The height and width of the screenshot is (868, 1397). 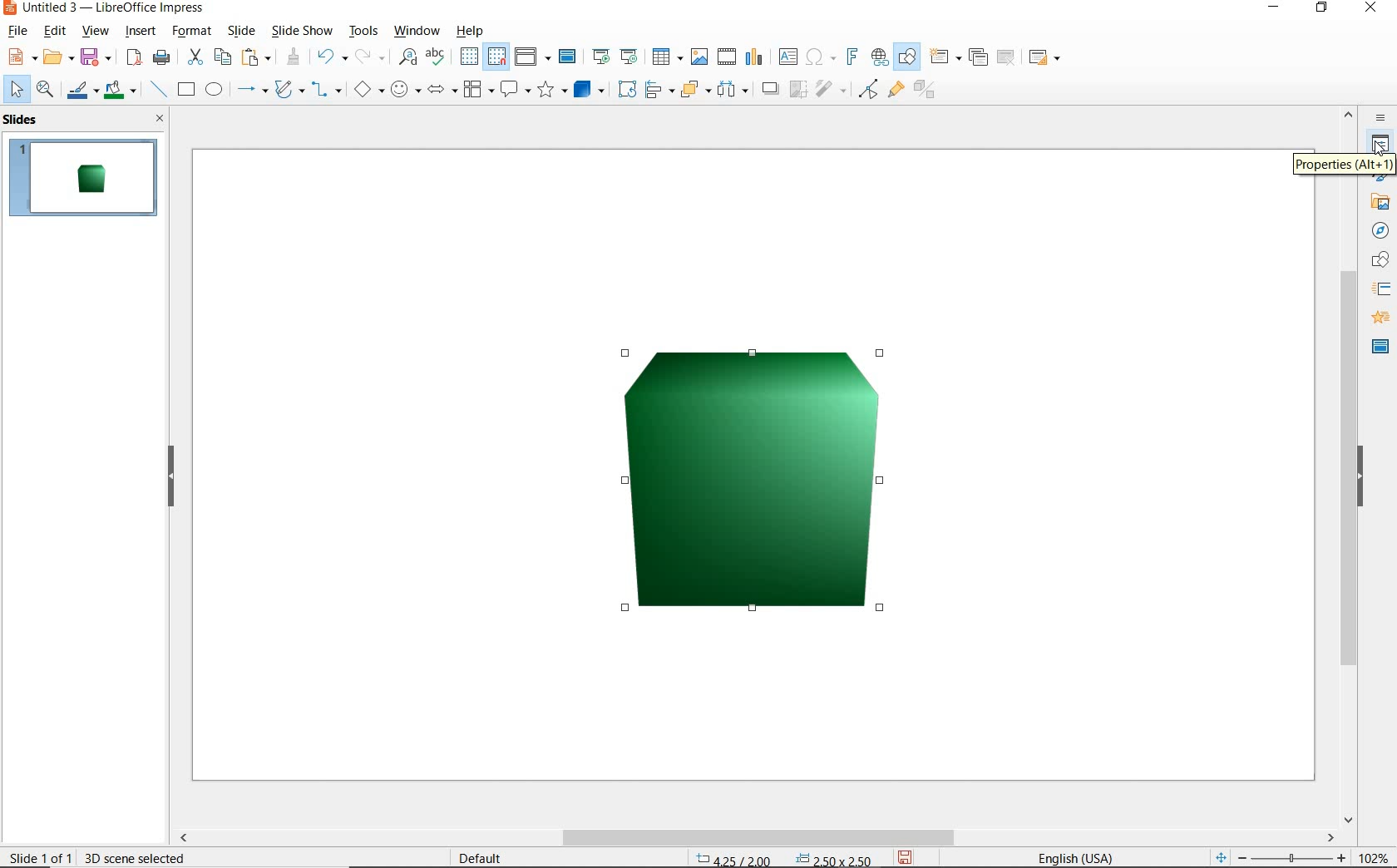 I want to click on lines and arrows, so click(x=252, y=90).